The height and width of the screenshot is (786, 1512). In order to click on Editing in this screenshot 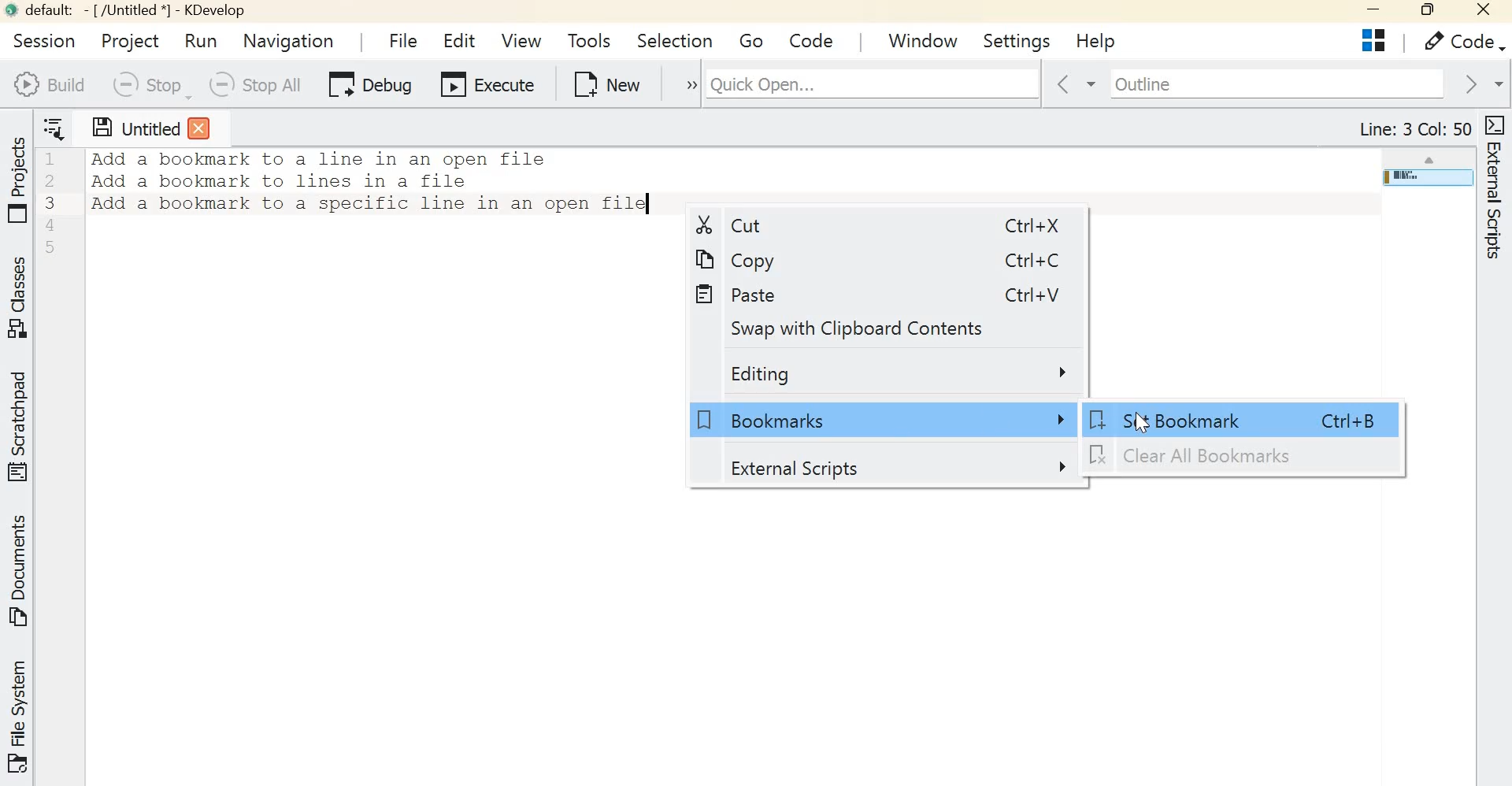, I will do `click(901, 373)`.